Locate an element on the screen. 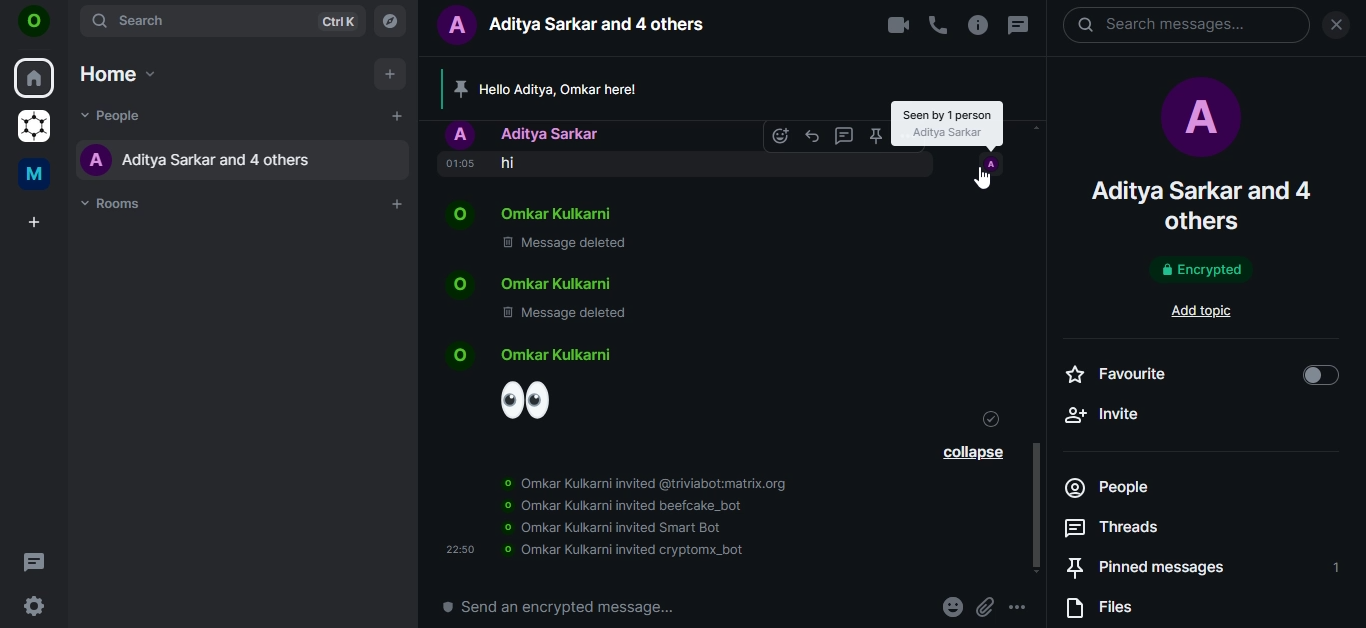 The height and width of the screenshot is (628, 1366). cursor is located at coordinates (984, 181).